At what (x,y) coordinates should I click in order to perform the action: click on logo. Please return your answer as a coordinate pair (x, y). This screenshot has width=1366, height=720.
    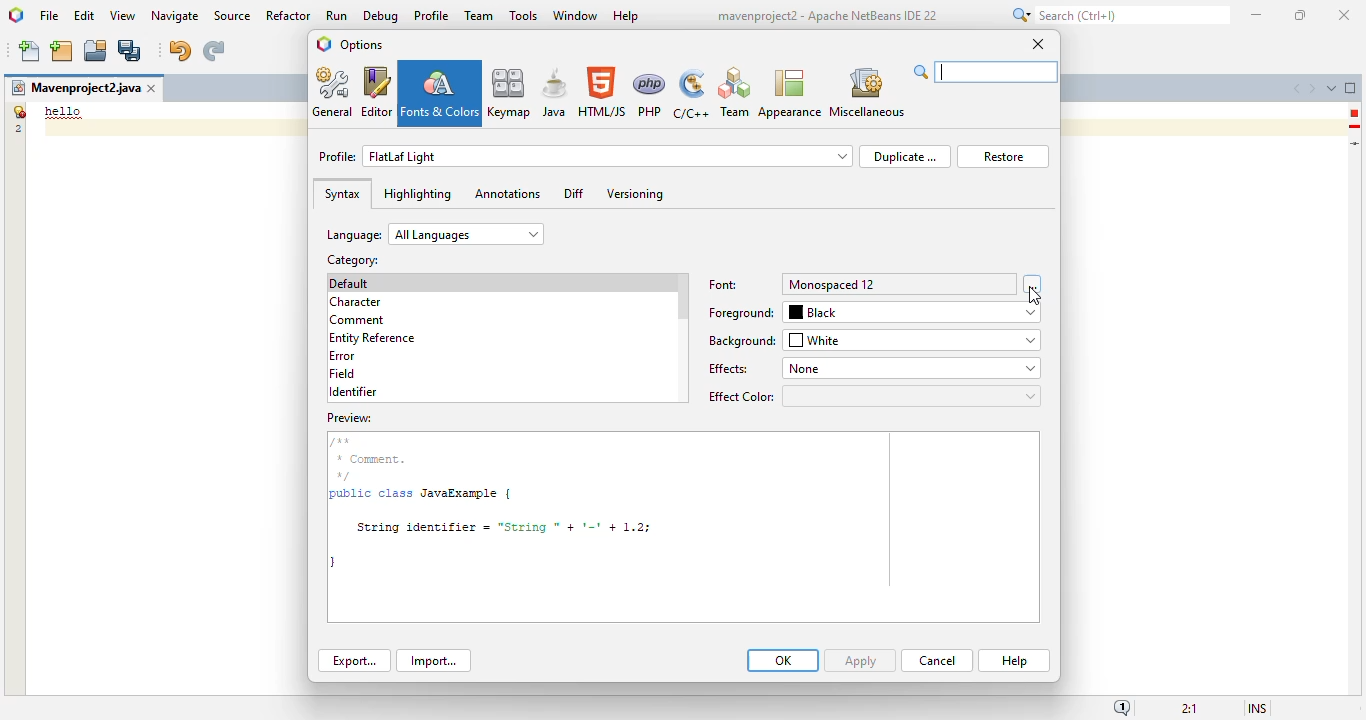
    Looking at the image, I should click on (324, 44).